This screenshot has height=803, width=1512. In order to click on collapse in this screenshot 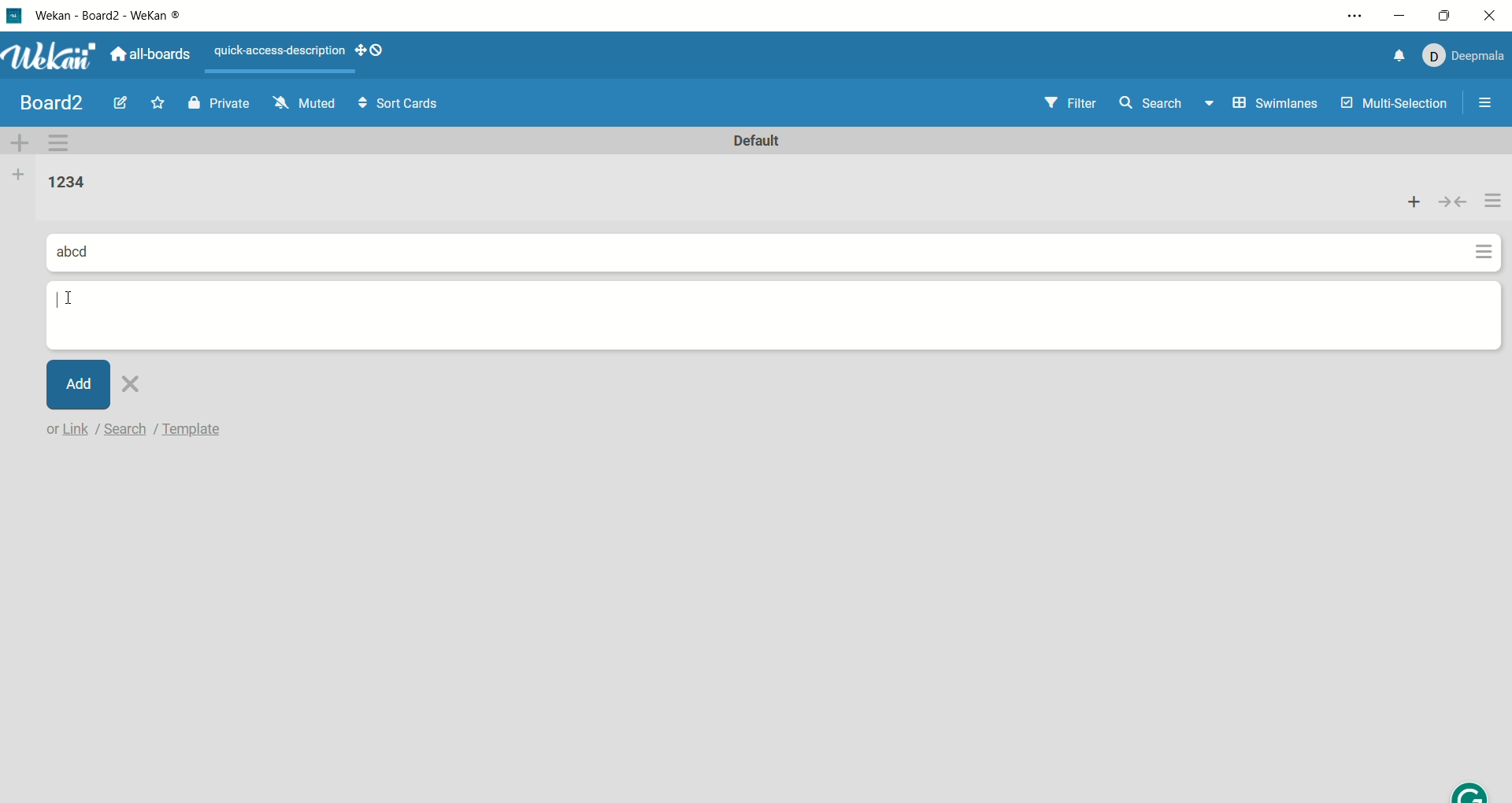, I will do `click(1455, 202)`.